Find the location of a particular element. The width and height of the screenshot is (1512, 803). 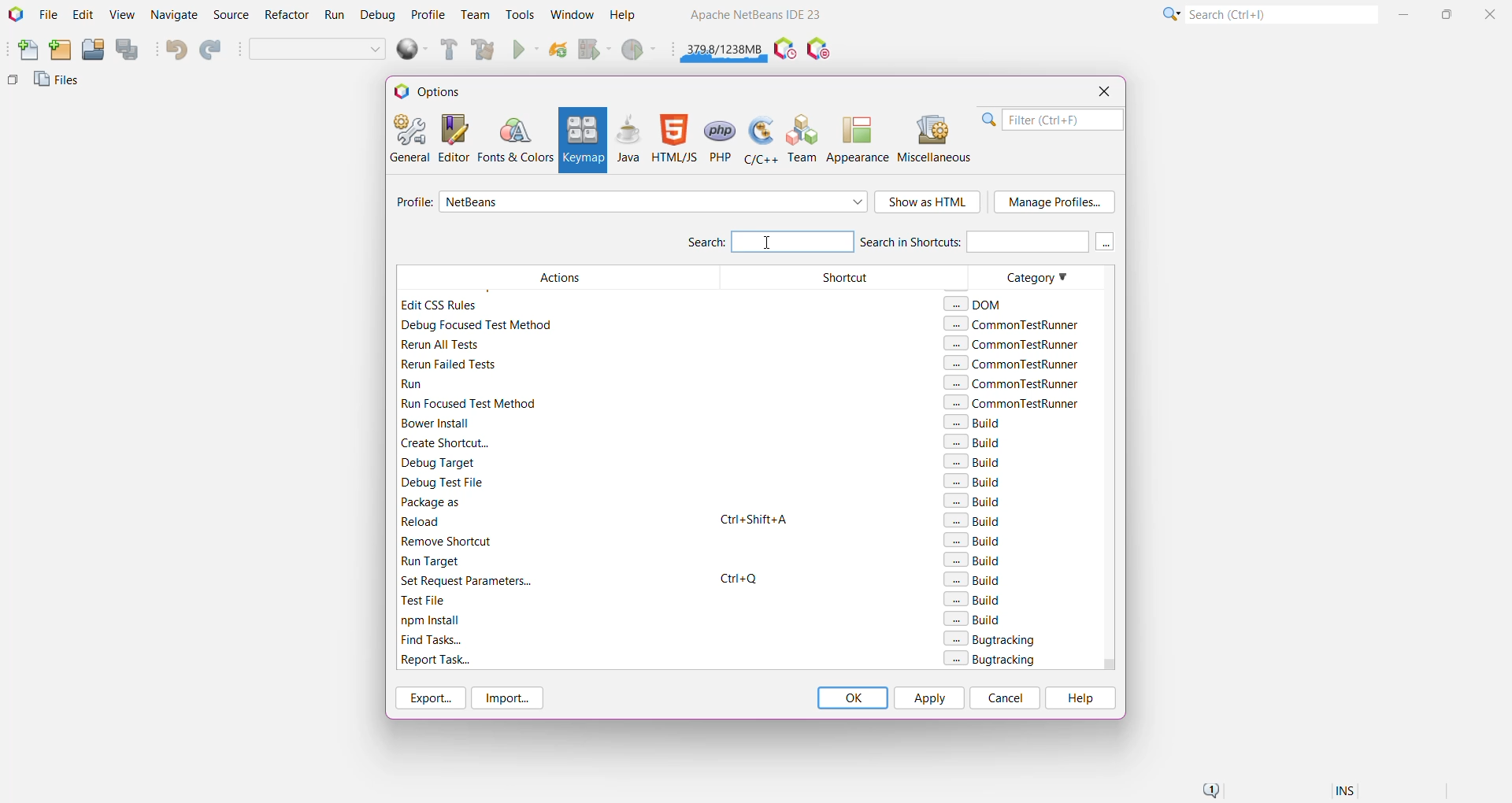

Actions is located at coordinates (554, 424).